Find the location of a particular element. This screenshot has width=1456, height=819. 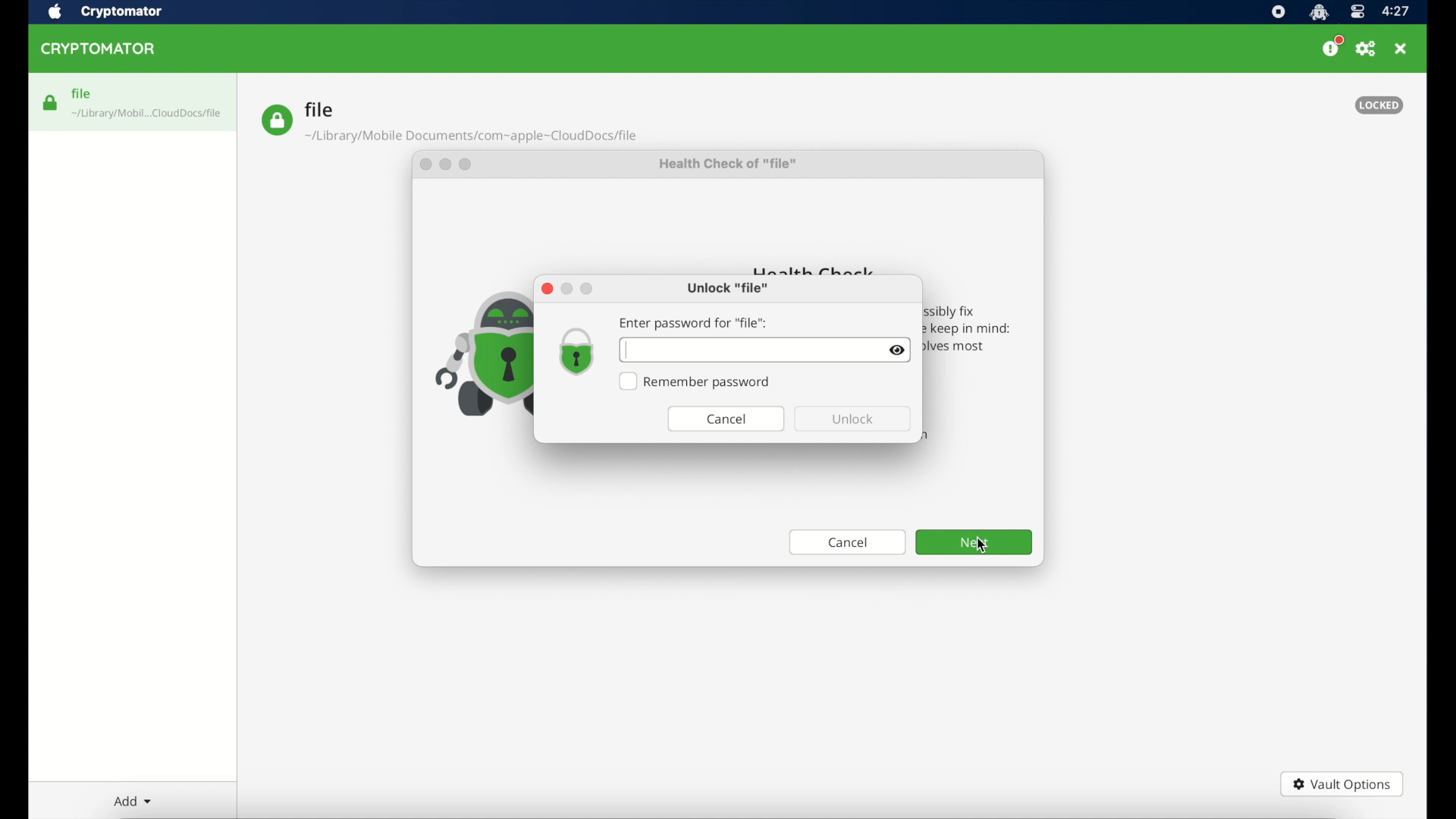

visibility toggle is located at coordinates (898, 350).